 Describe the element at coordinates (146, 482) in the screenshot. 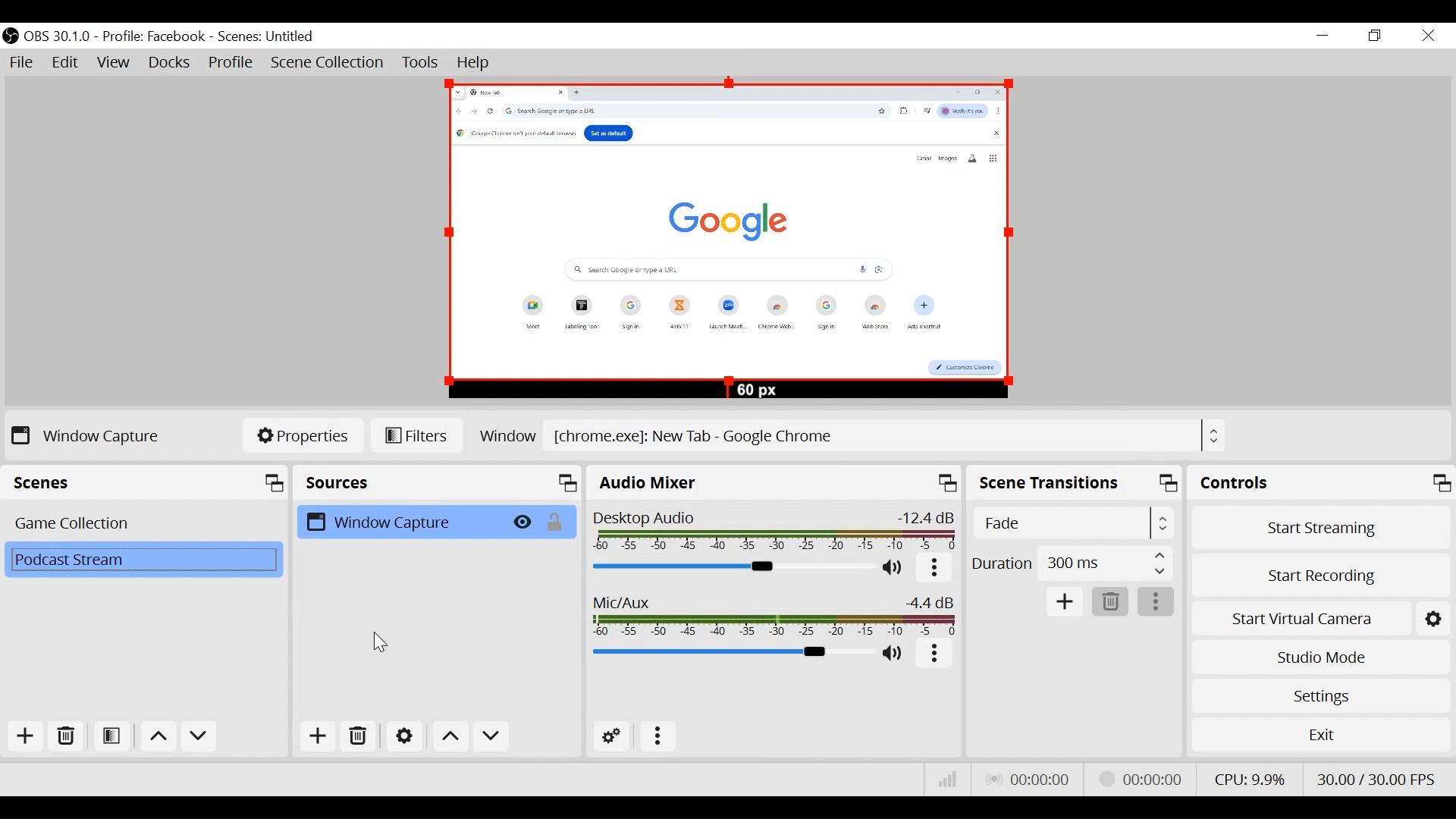

I see `Scenes` at that location.